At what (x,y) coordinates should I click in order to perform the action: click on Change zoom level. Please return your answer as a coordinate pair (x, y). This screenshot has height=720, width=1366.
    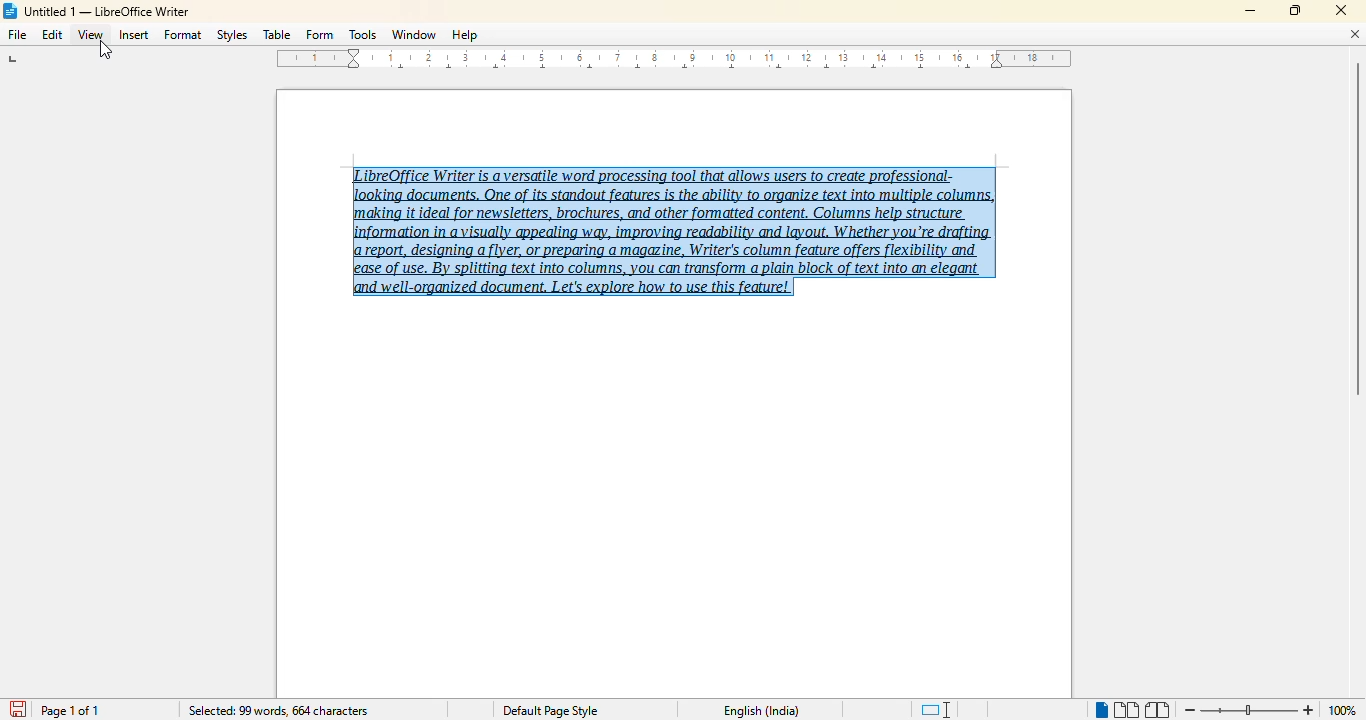
    Looking at the image, I should click on (1250, 707).